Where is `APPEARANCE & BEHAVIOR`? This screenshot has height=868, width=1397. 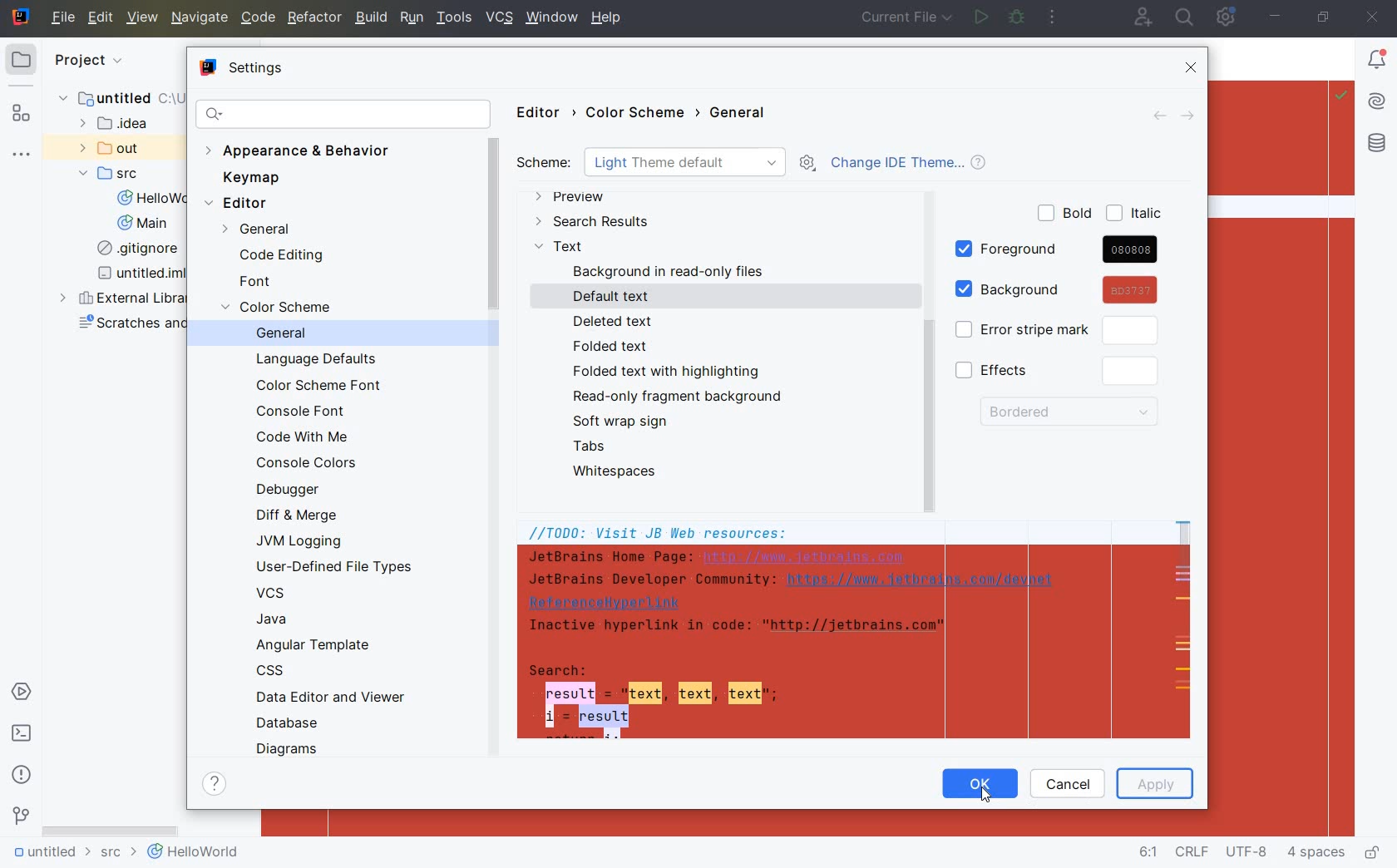
APPEARANCE & BEHAVIOR is located at coordinates (301, 152).